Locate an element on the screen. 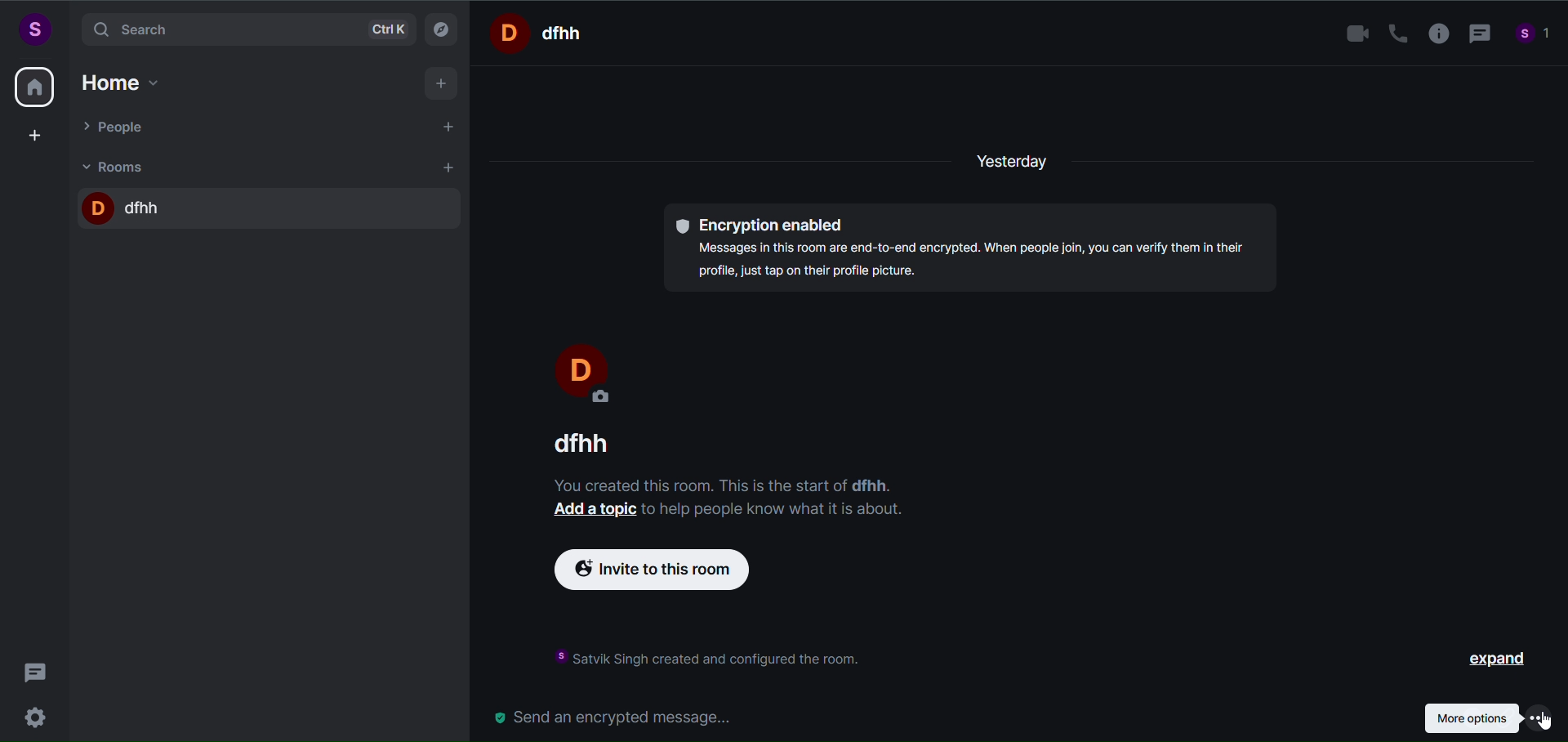  text is located at coordinates (714, 482).